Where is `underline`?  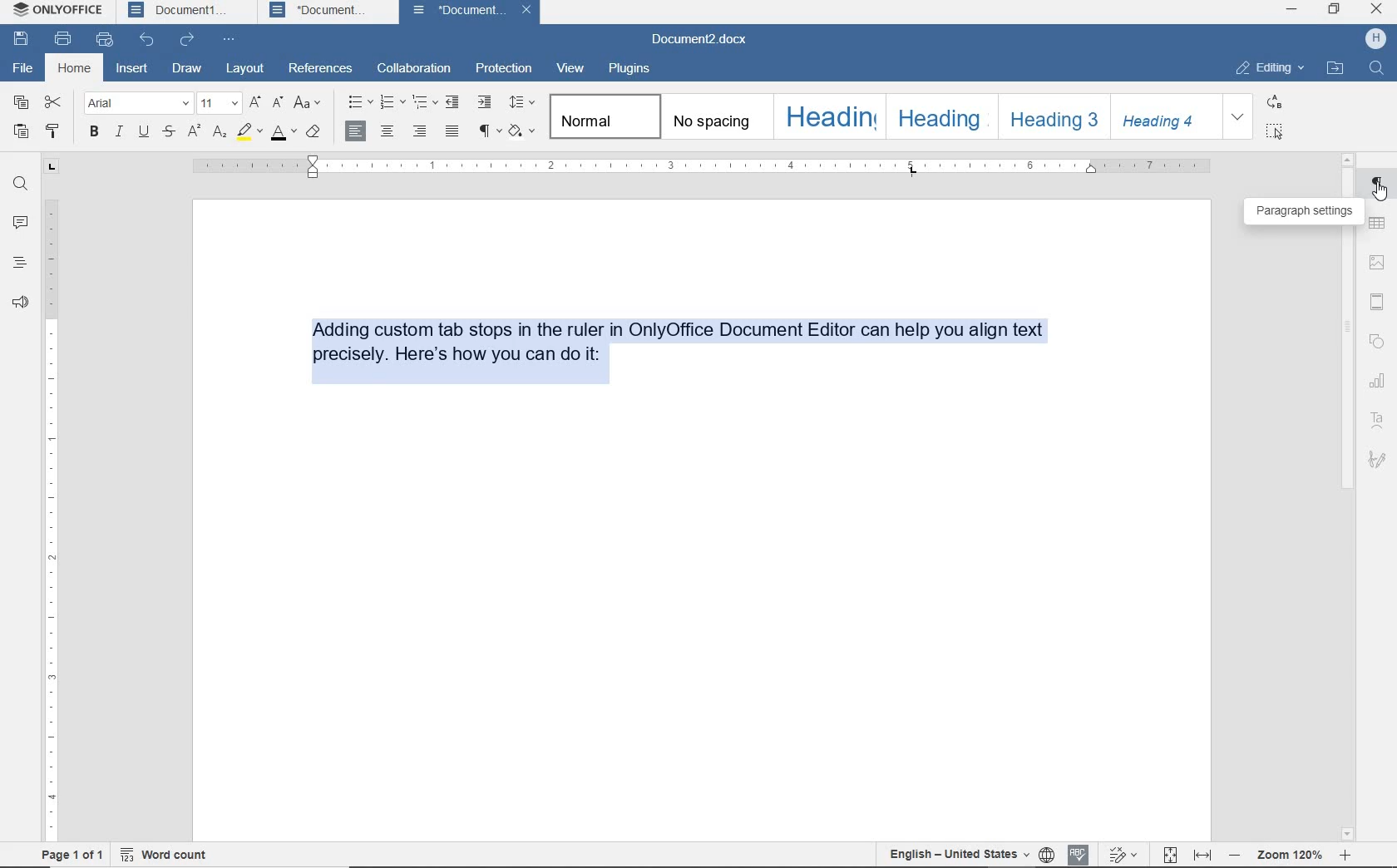
underline is located at coordinates (144, 133).